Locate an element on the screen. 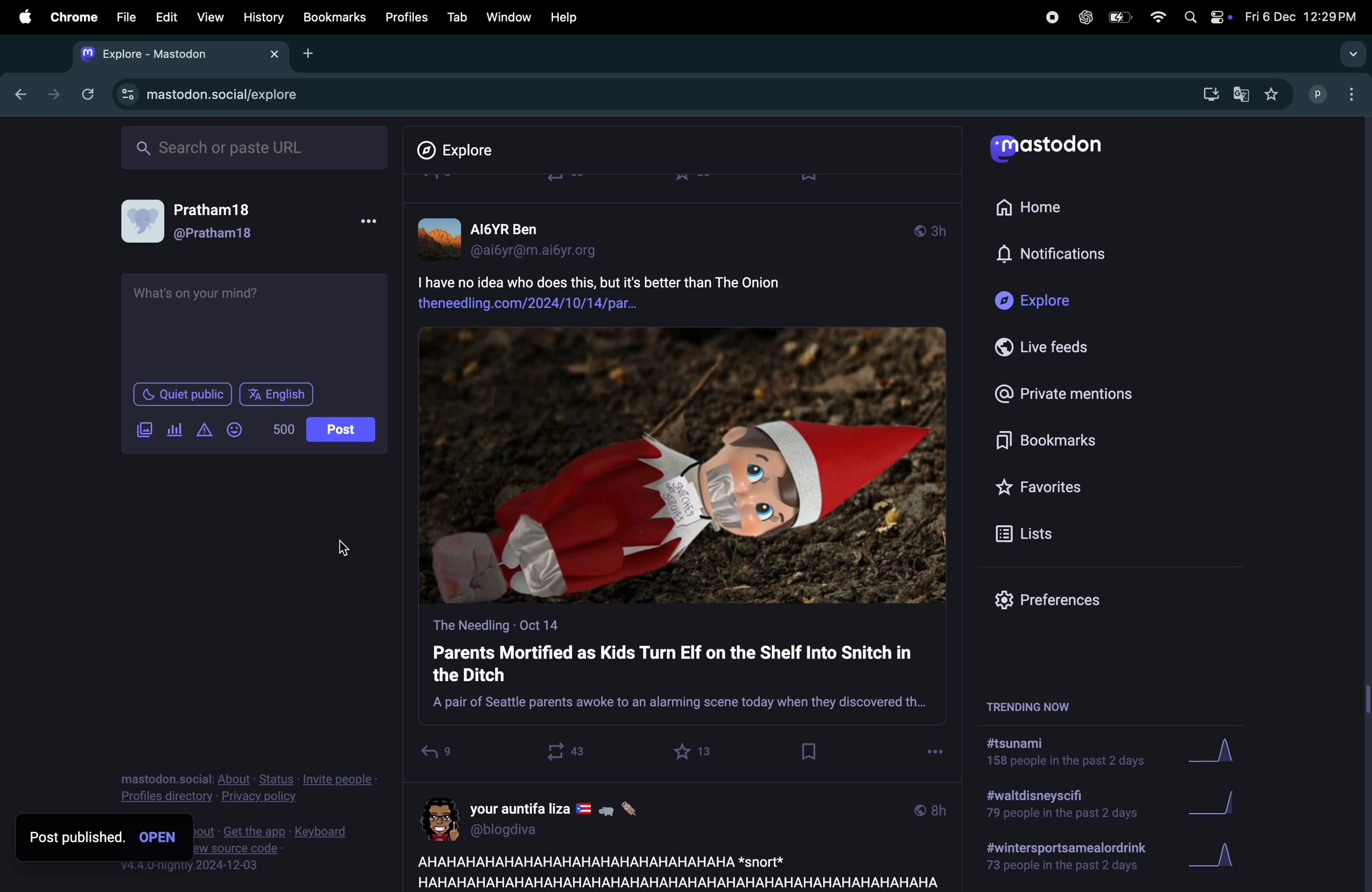  add image is located at coordinates (144, 430).